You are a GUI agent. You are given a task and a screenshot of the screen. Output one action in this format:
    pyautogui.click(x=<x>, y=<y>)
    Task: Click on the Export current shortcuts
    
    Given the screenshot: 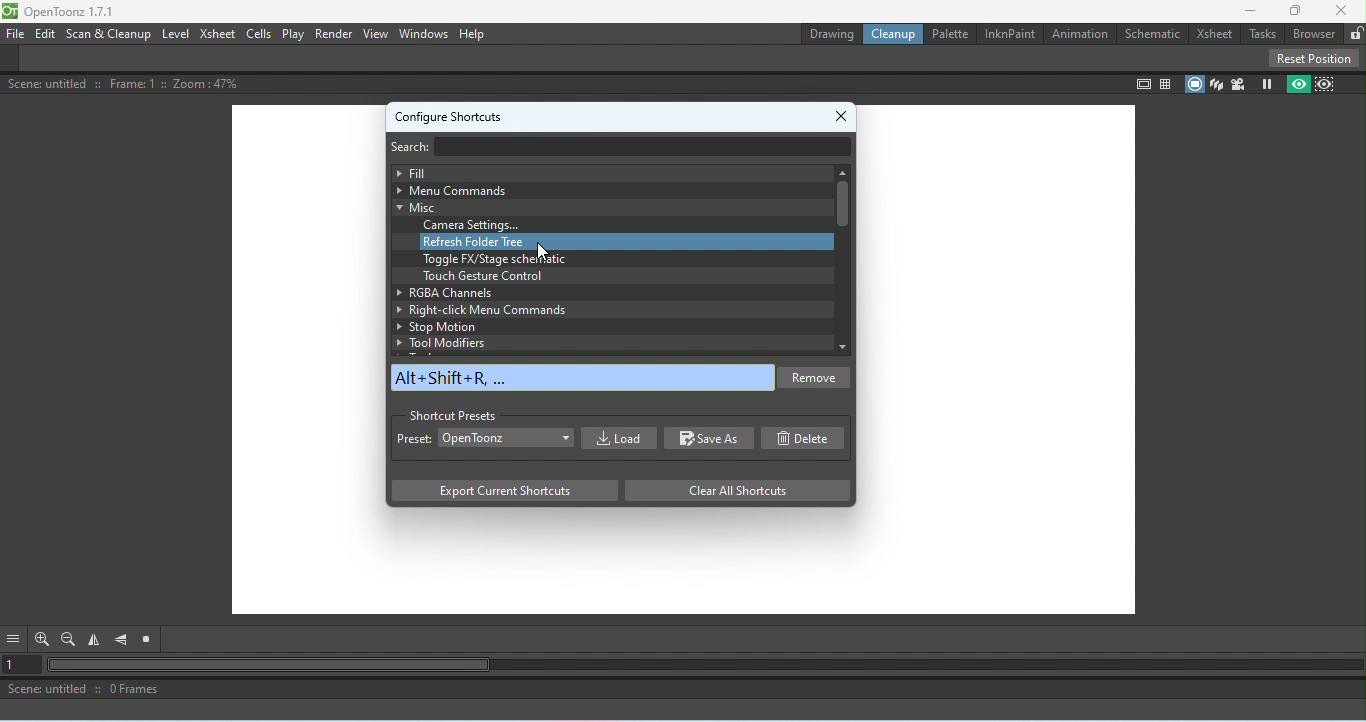 What is the action you would take?
    pyautogui.click(x=503, y=492)
    